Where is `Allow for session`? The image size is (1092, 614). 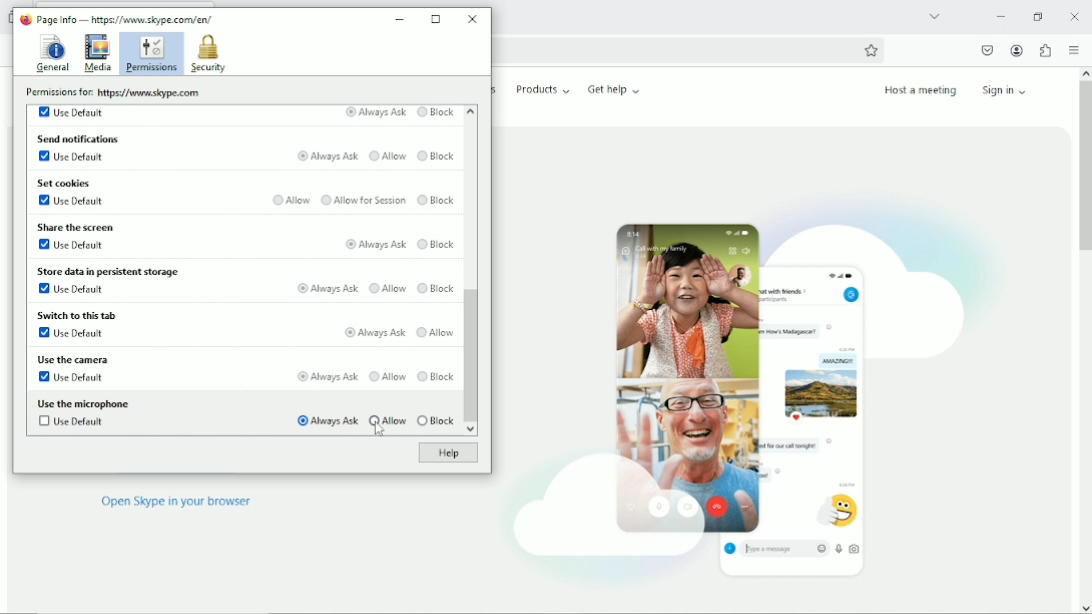
Allow for session is located at coordinates (363, 200).